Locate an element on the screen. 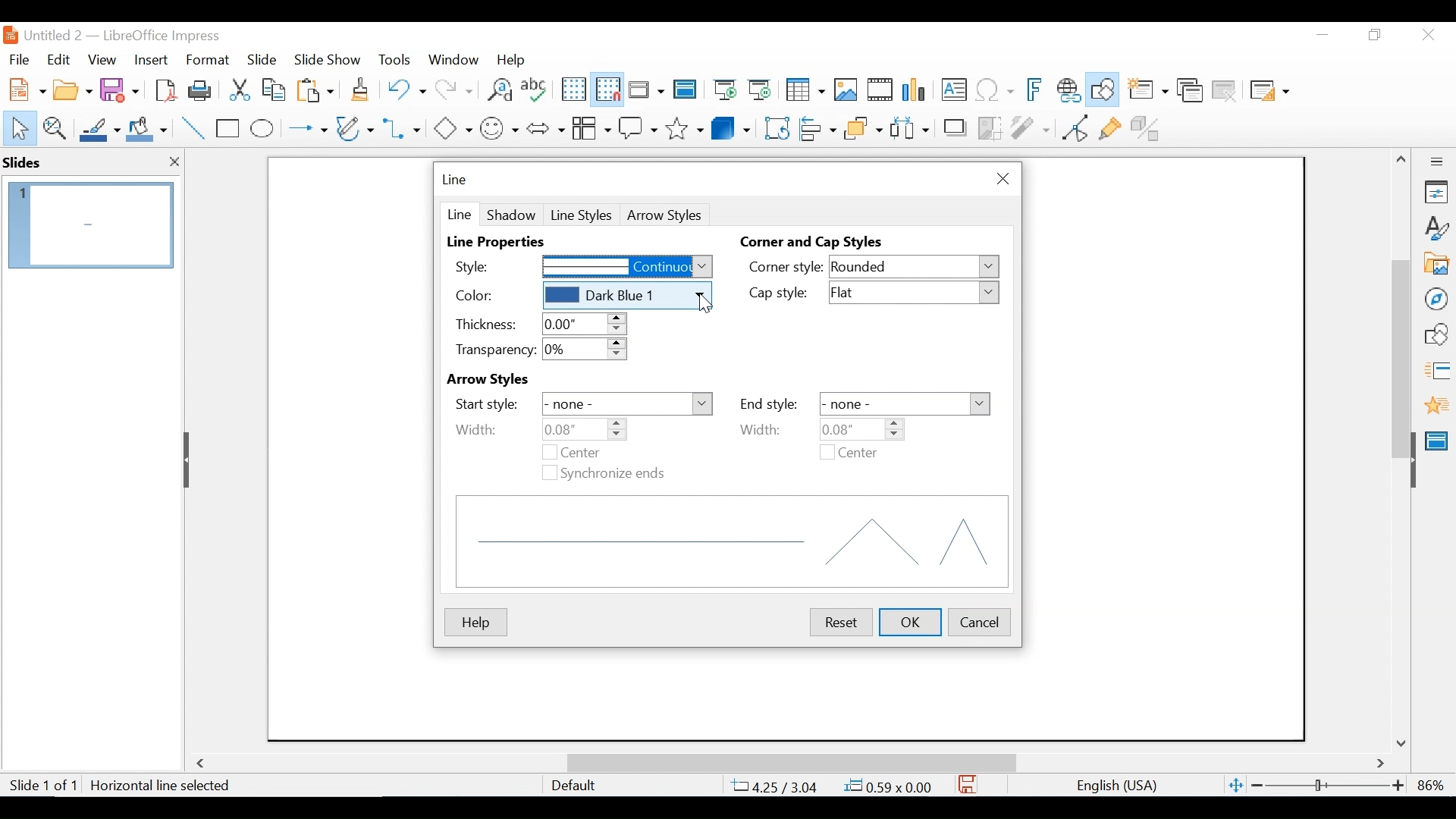 The height and width of the screenshot is (819, 1456). Zoom & Pan is located at coordinates (54, 127).